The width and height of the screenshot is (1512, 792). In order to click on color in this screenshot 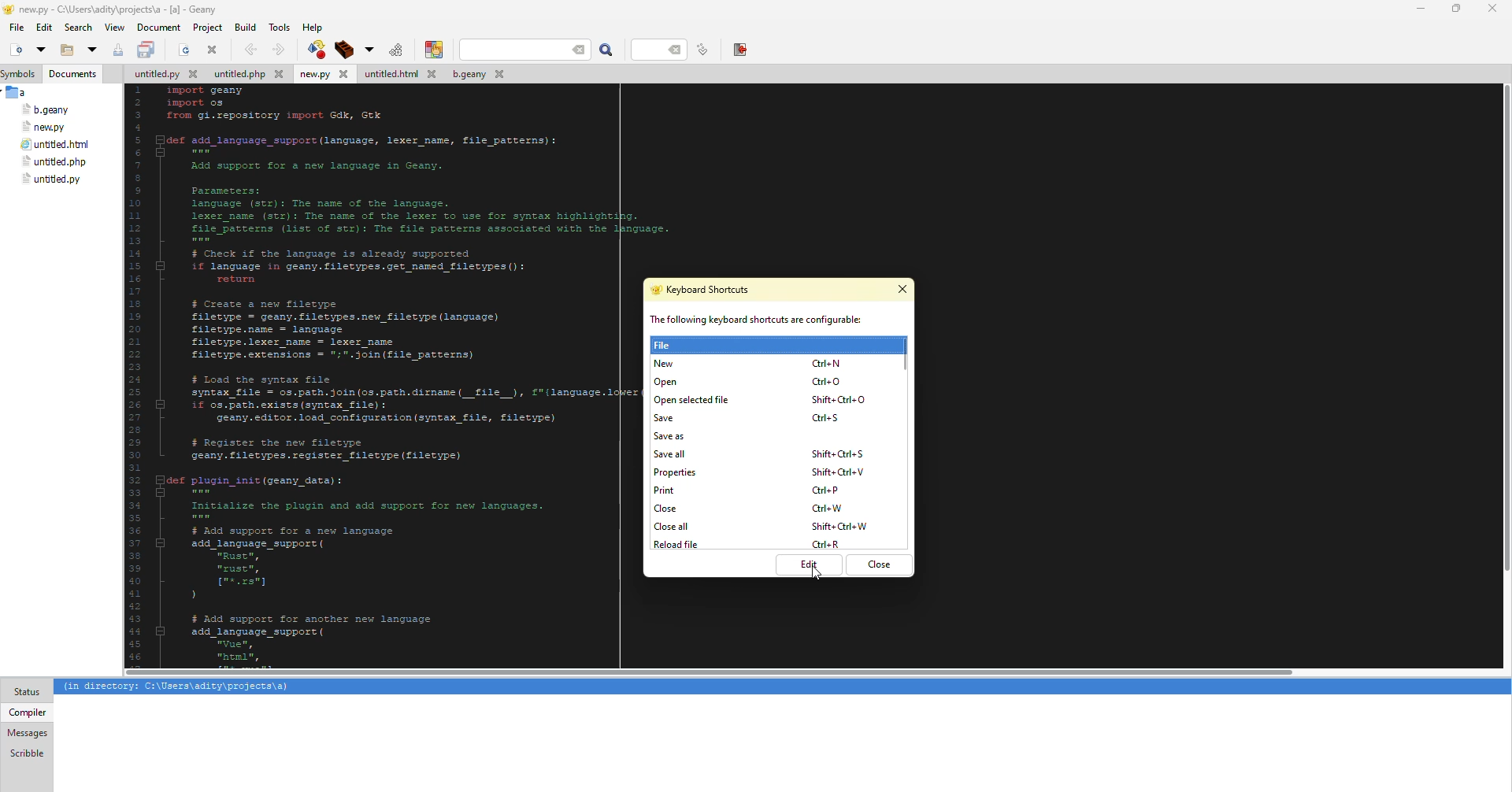, I will do `click(431, 50)`.